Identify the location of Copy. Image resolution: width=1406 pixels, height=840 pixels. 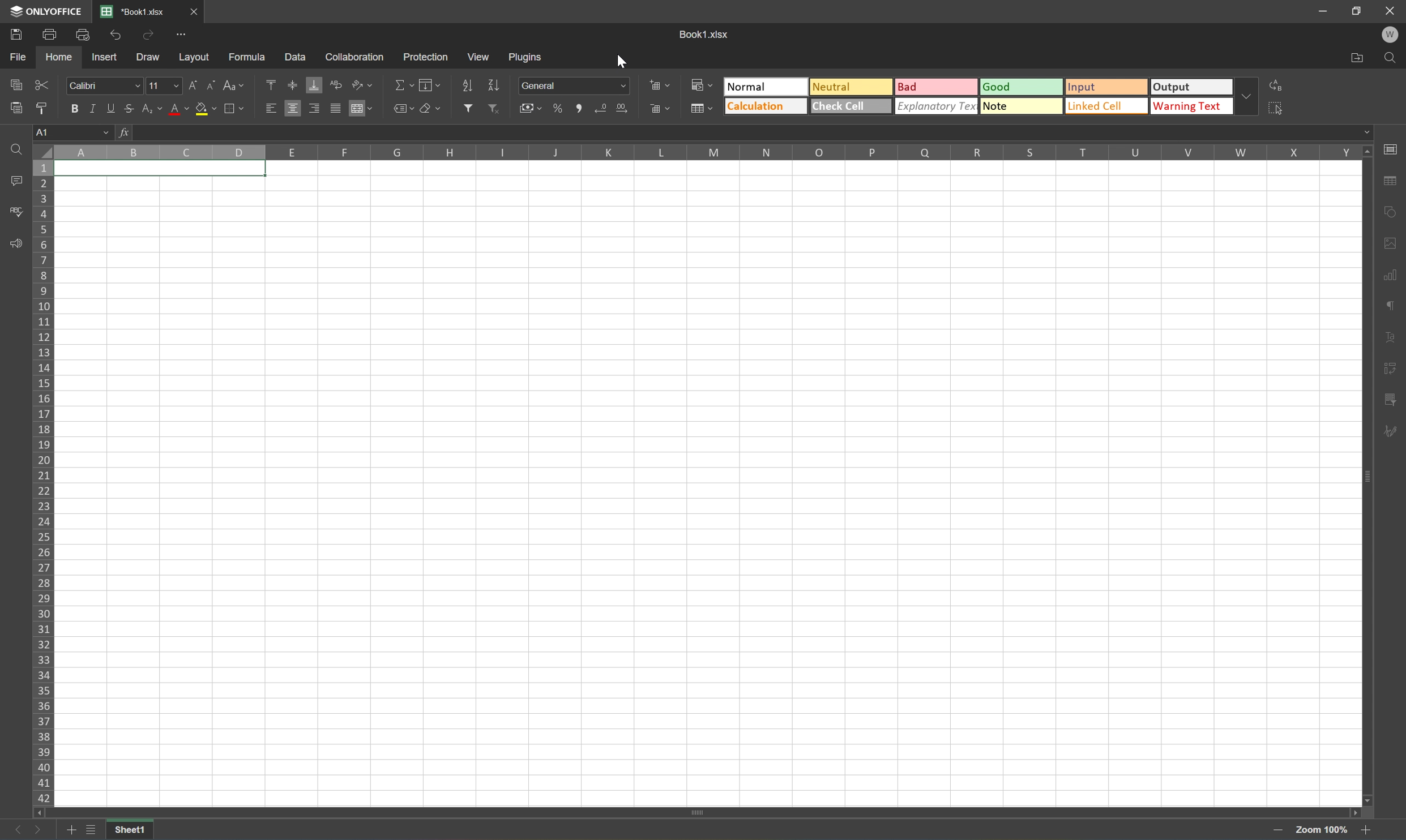
(16, 83).